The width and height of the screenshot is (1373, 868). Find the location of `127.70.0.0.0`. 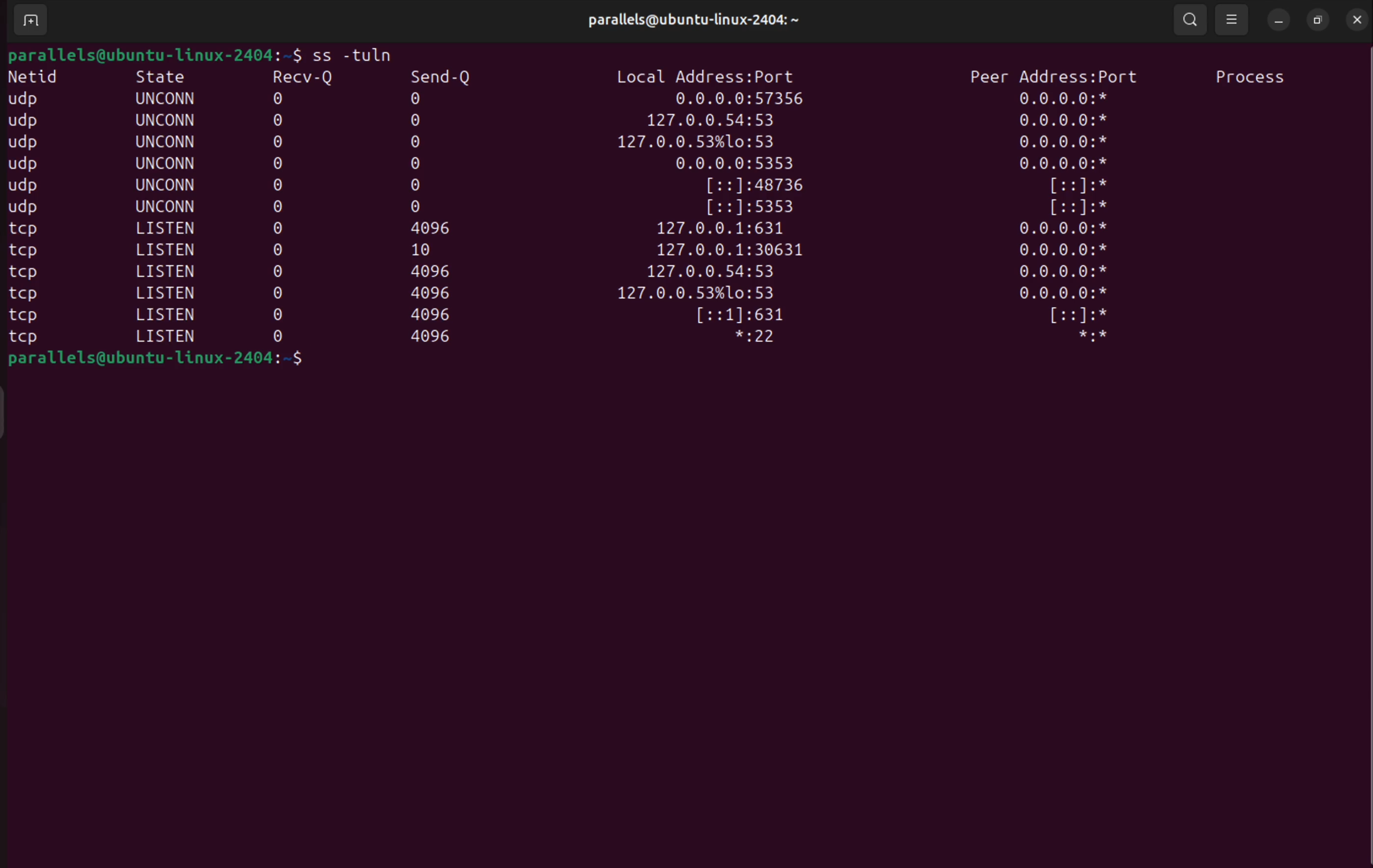

127.70.0.0.0 is located at coordinates (711, 121).